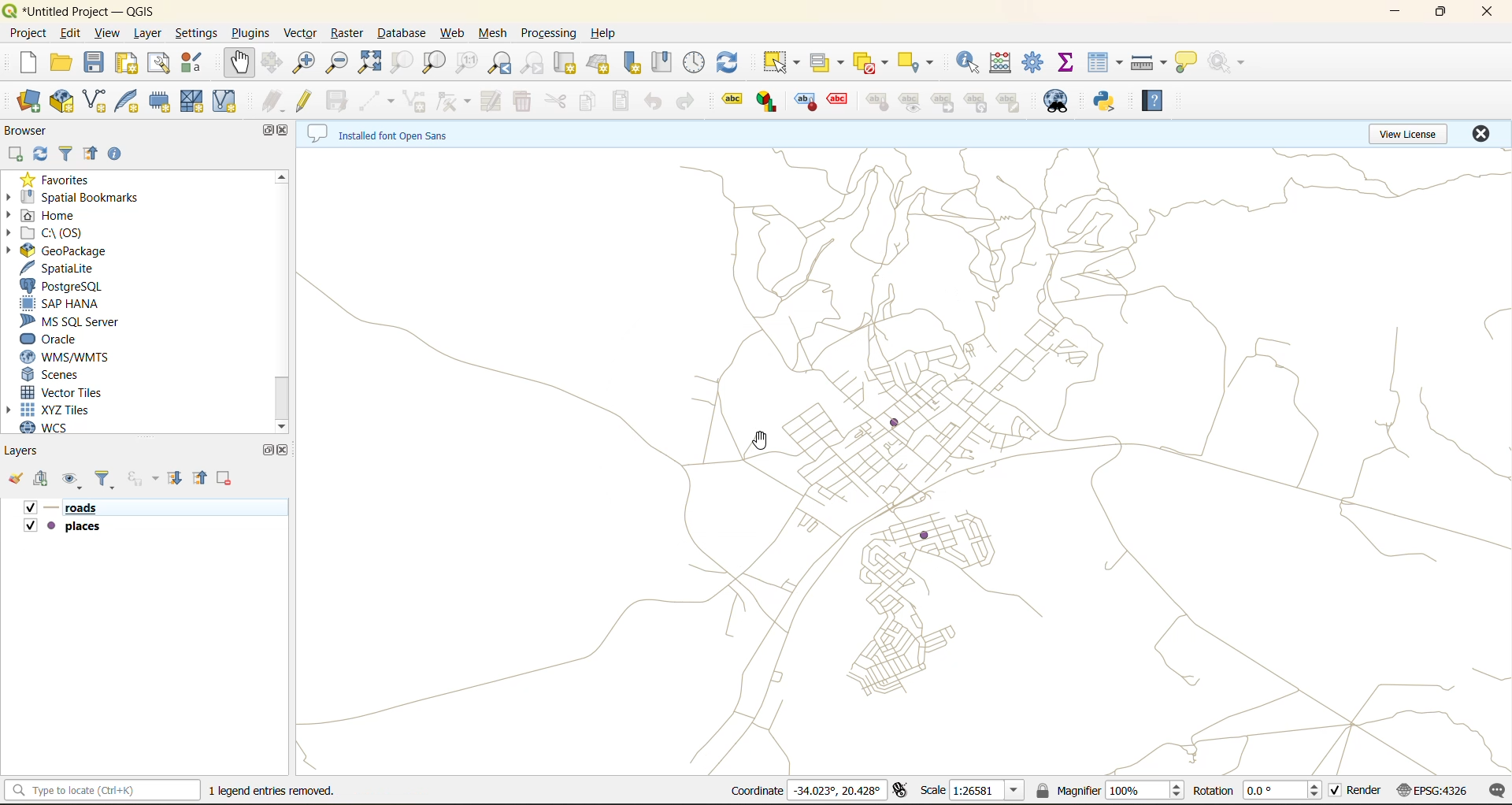  I want to click on oracle, so click(61, 340).